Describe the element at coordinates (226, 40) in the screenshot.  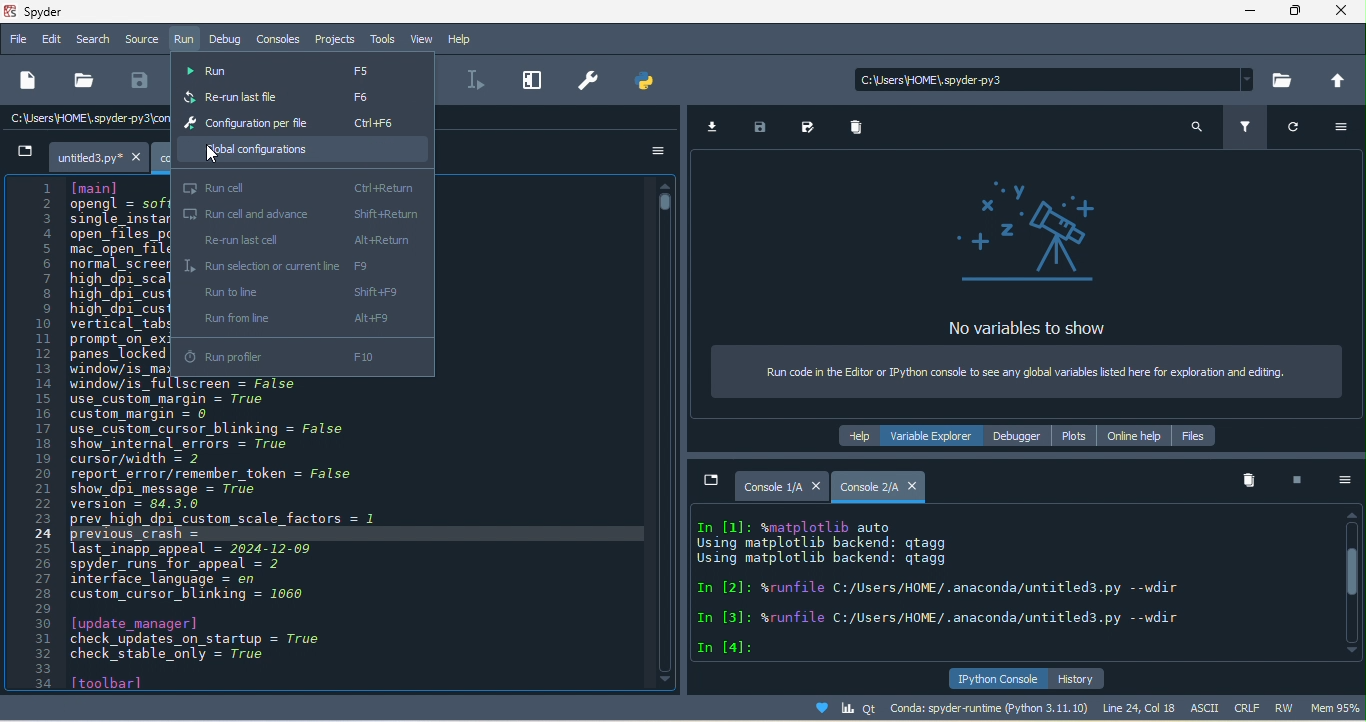
I see `debug` at that location.